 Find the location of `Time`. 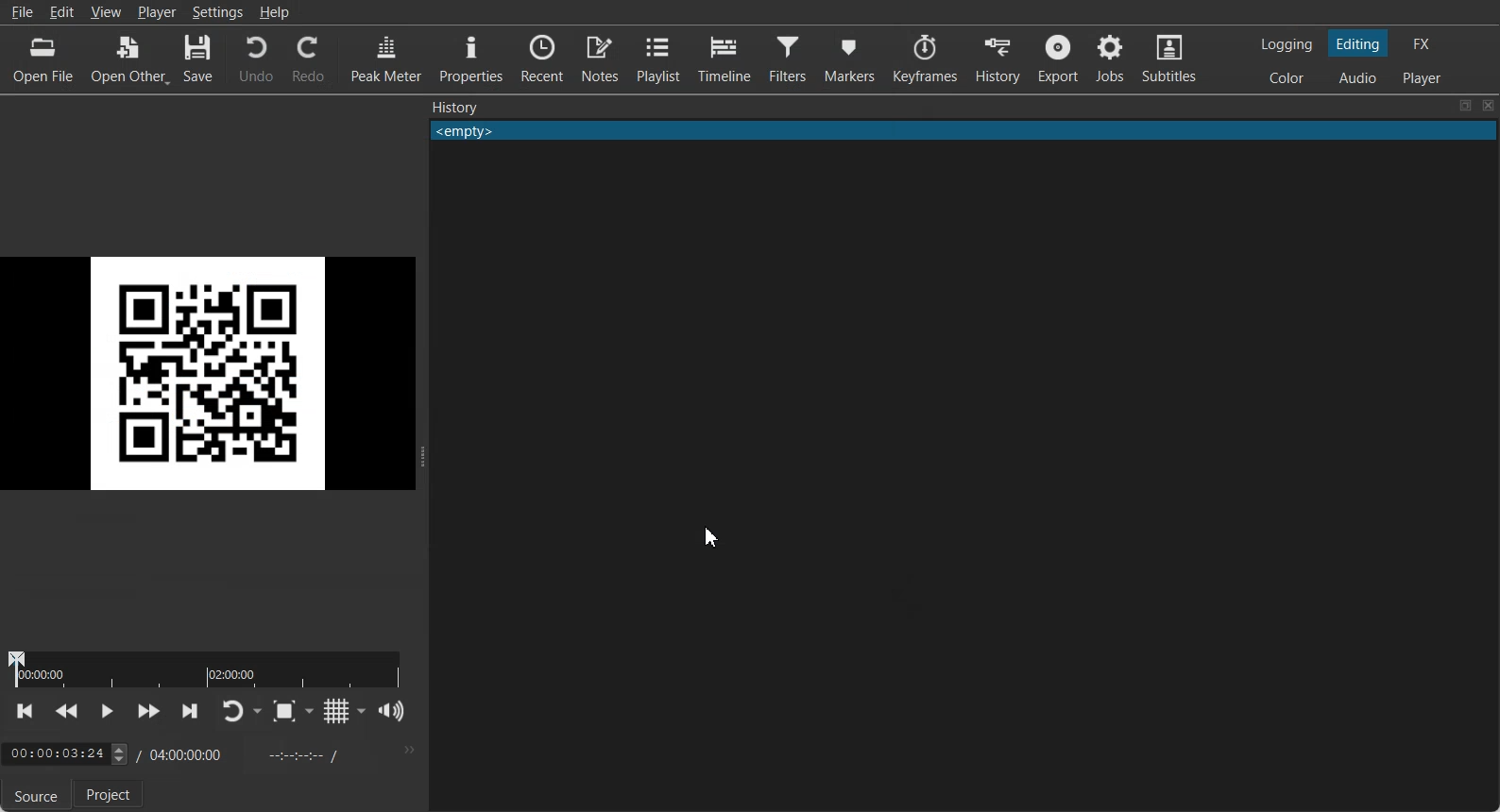

Time is located at coordinates (188, 753).